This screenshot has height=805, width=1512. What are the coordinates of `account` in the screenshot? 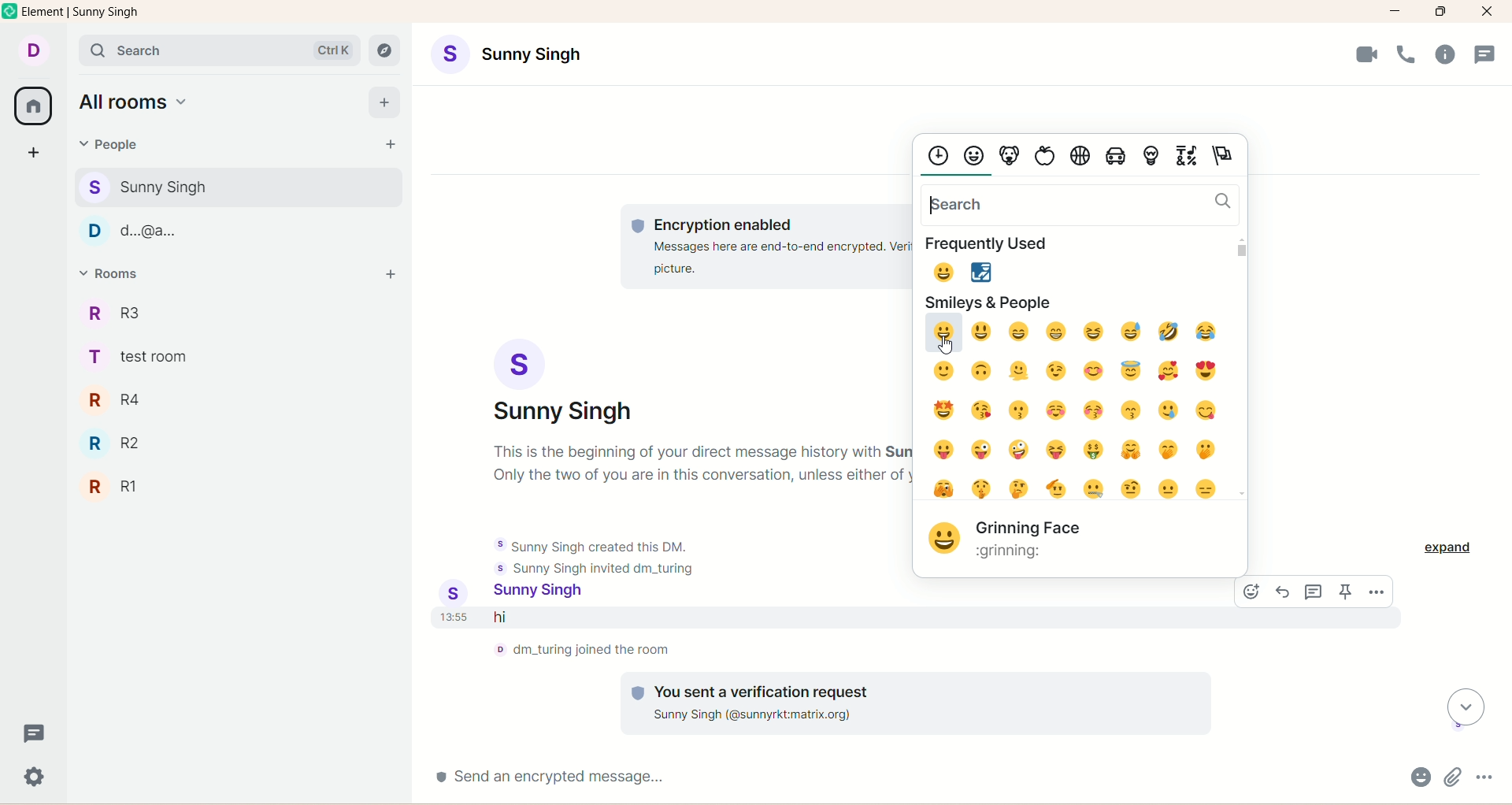 It's located at (32, 51).